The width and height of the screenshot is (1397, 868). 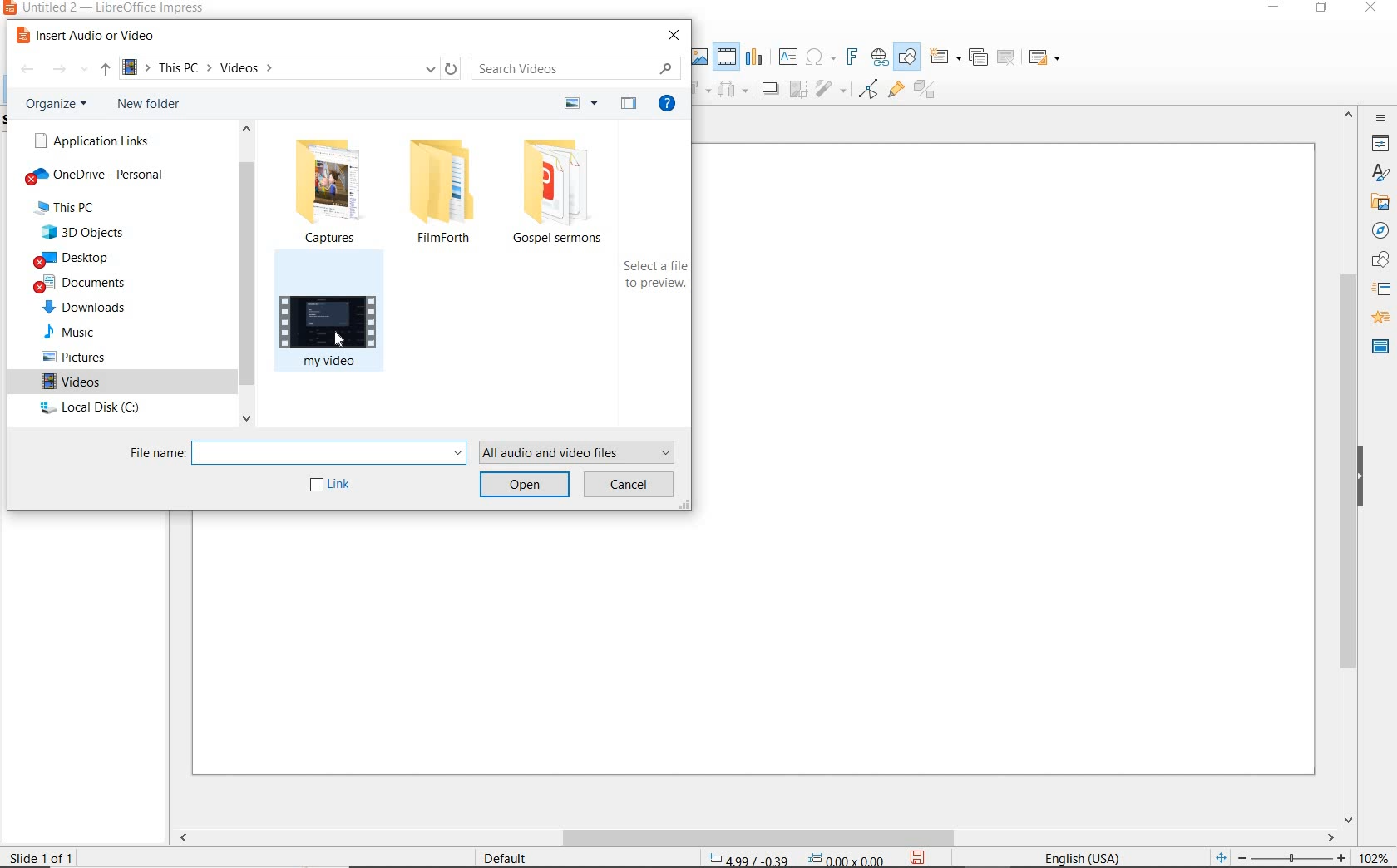 What do you see at coordinates (333, 488) in the screenshot?
I see `link` at bounding box center [333, 488].